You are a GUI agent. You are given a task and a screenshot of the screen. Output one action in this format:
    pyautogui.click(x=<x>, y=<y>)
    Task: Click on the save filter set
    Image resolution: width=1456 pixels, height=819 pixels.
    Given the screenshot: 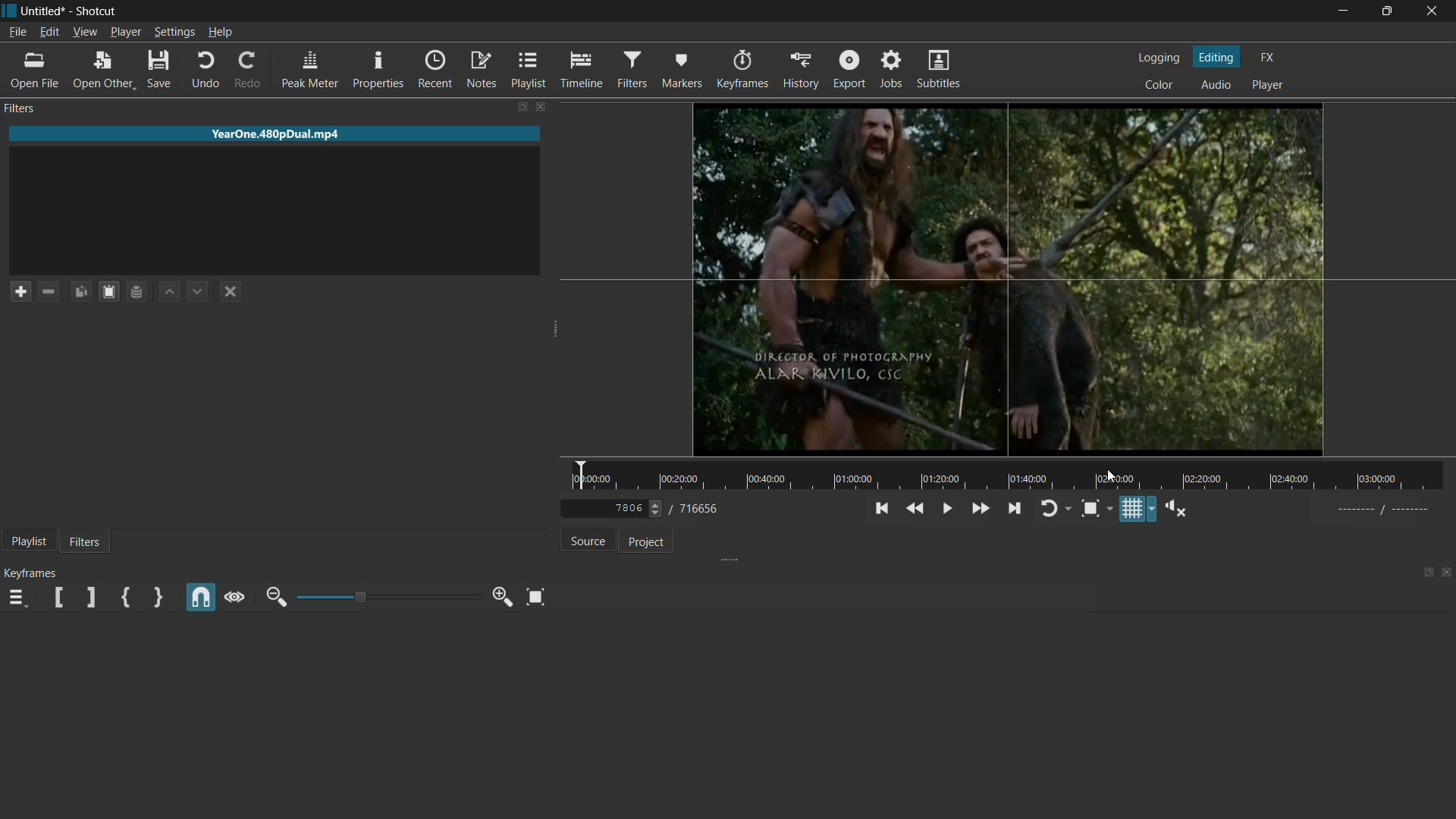 What is the action you would take?
    pyautogui.click(x=137, y=291)
    